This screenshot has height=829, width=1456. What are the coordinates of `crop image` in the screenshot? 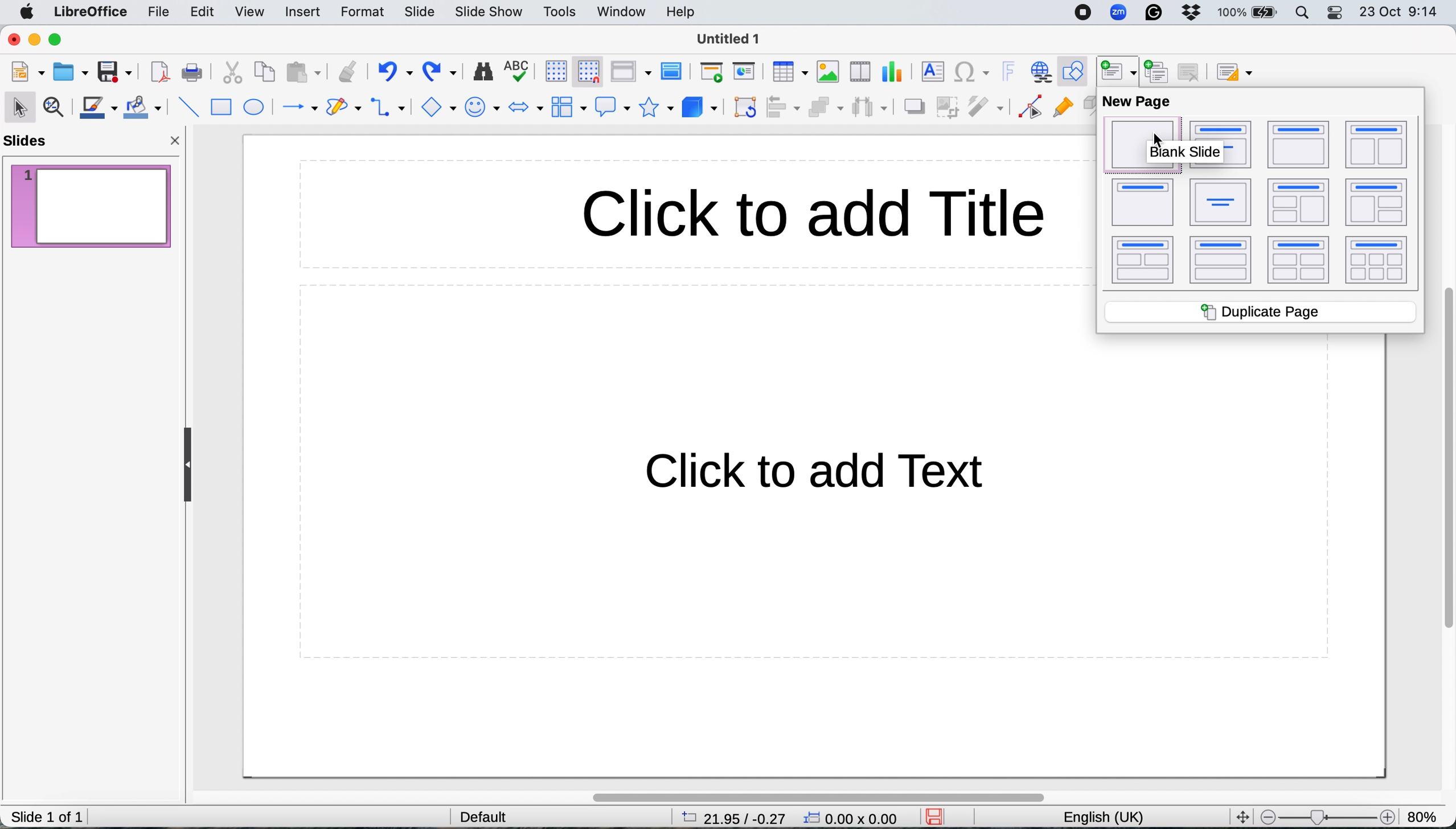 It's located at (948, 107).